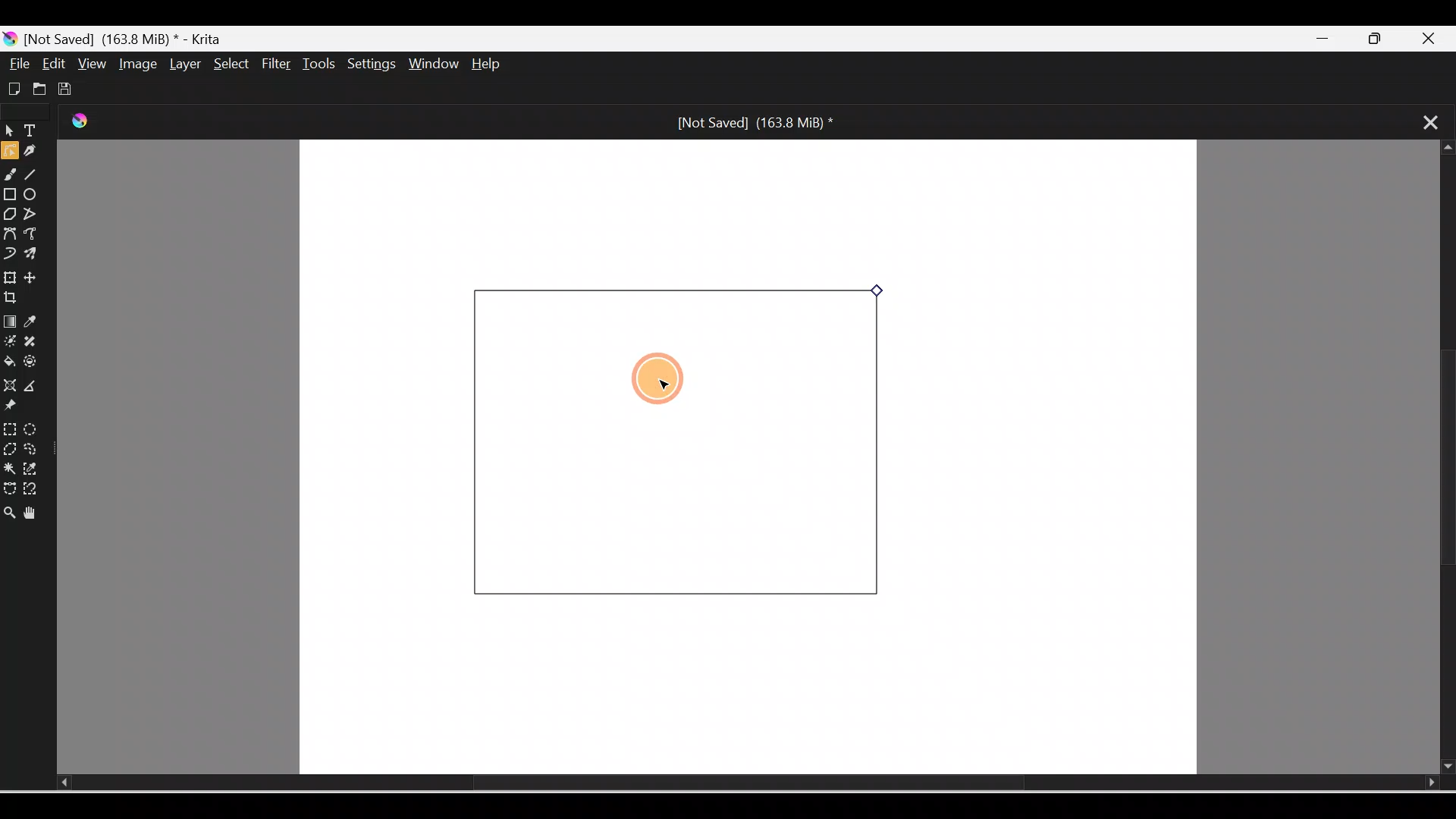 The image size is (1456, 819). Describe the element at coordinates (1423, 121) in the screenshot. I see `Close tab` at that location.